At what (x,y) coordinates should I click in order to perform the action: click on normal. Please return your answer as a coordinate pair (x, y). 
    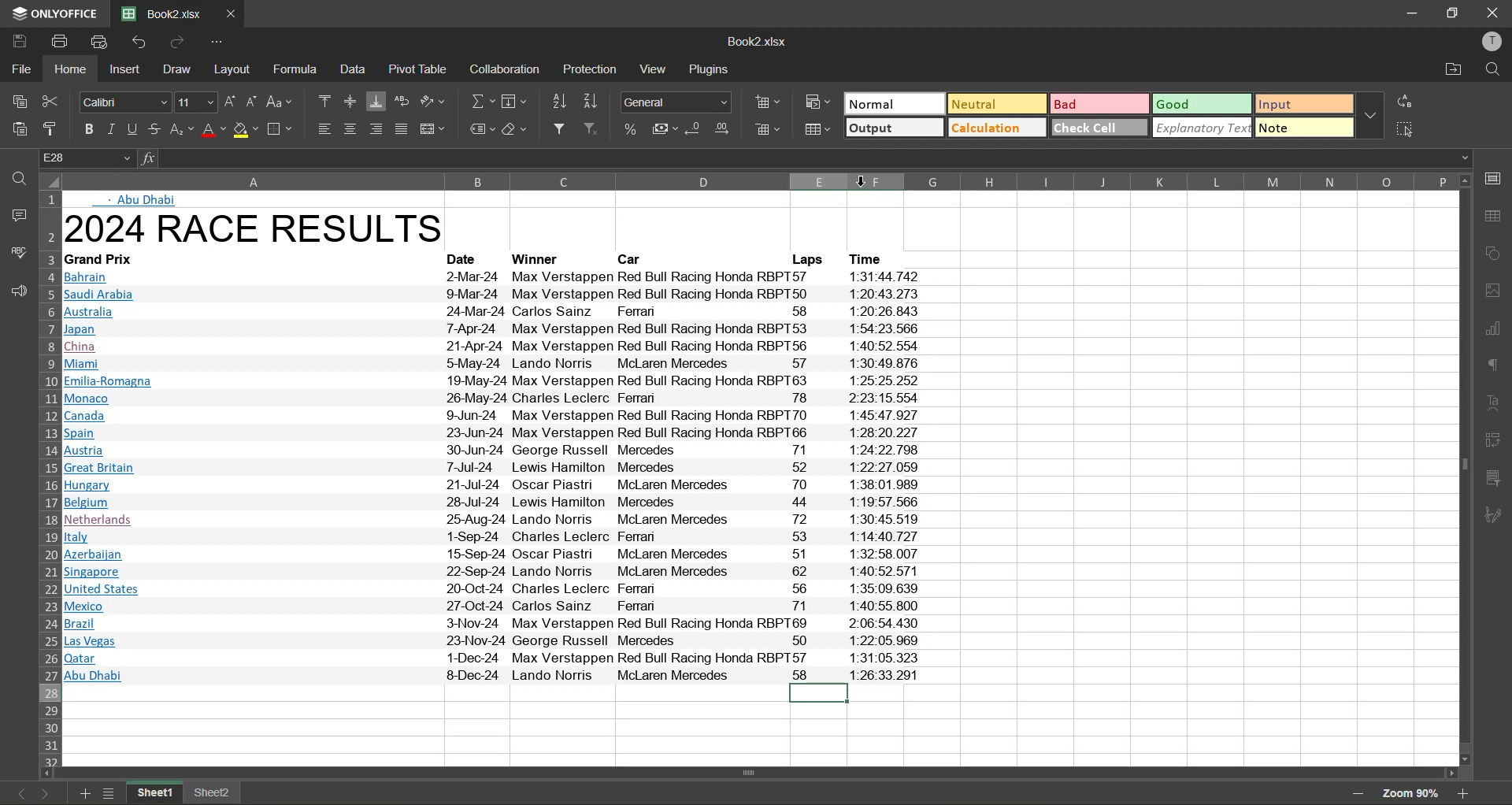
    Looking at the image, I should click on (894, 102).